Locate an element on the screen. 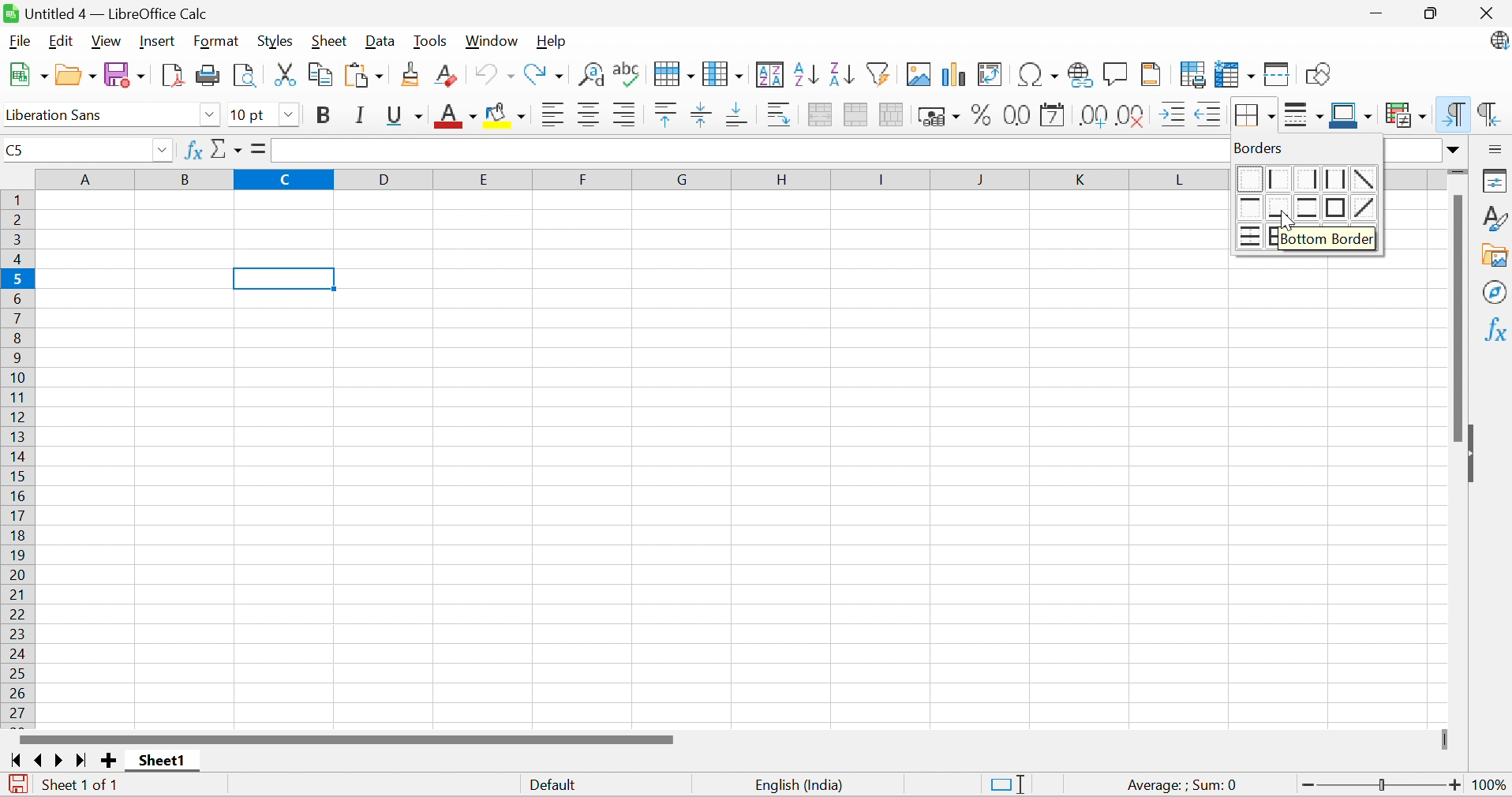 This screenshot has width=1512, height=797. Row number is located at coordinates (18, 458).